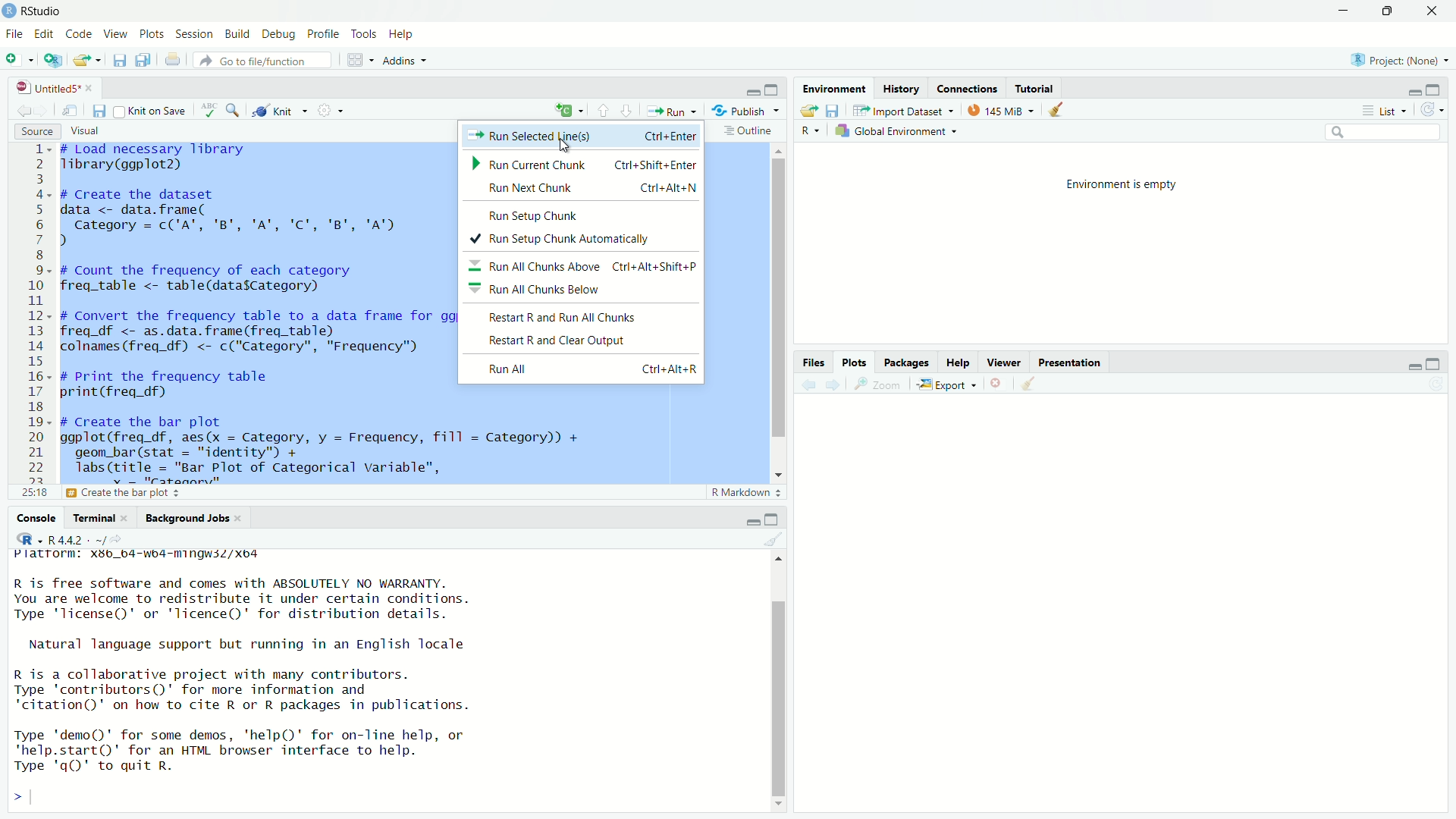  What do you see at coordinates (781, 539) in the screenshot?
I see `clear console` at bounding box center [781, 539].